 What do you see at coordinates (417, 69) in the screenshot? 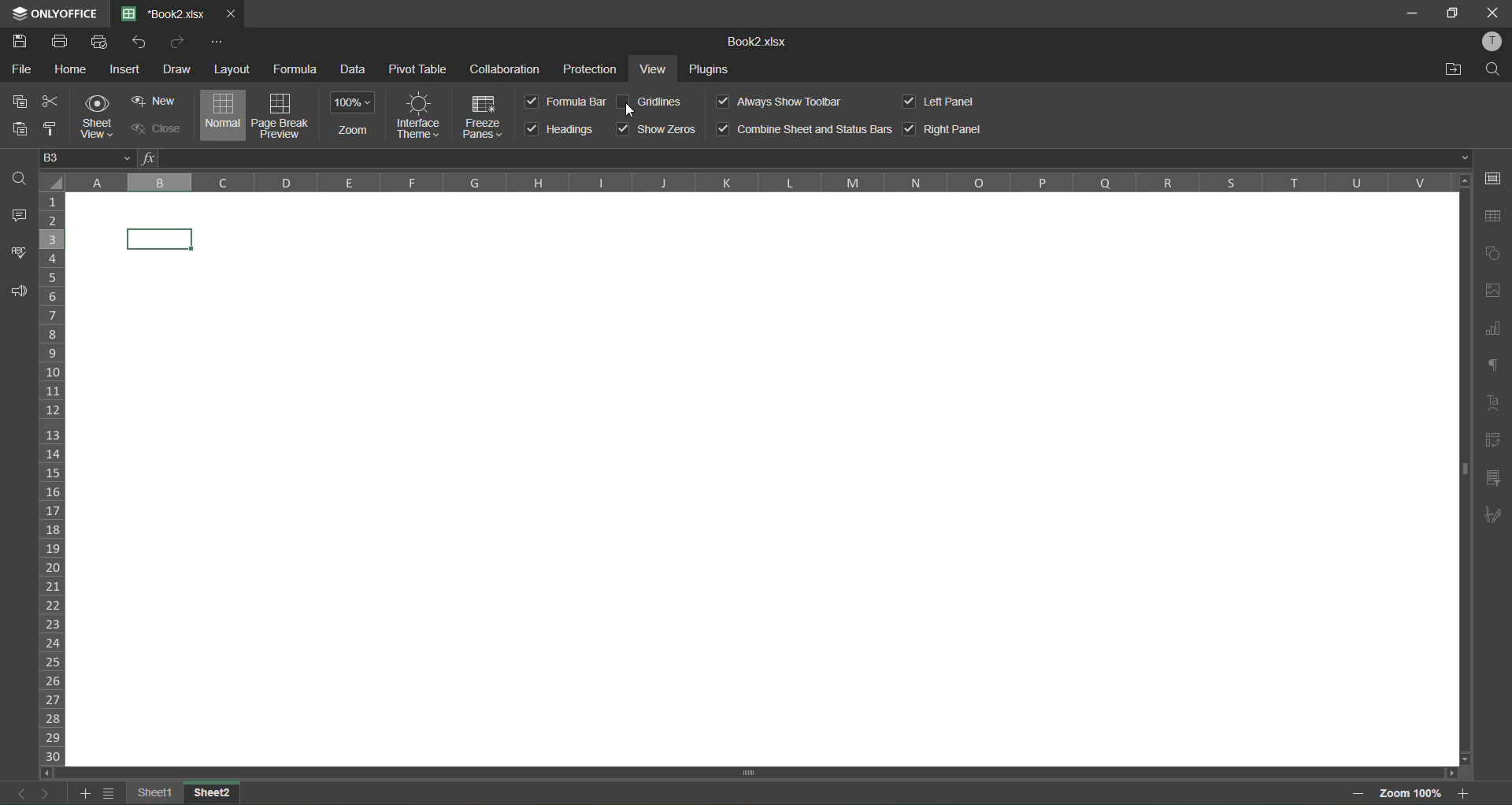
I see `pivot table` at bounding box center [417, 69].